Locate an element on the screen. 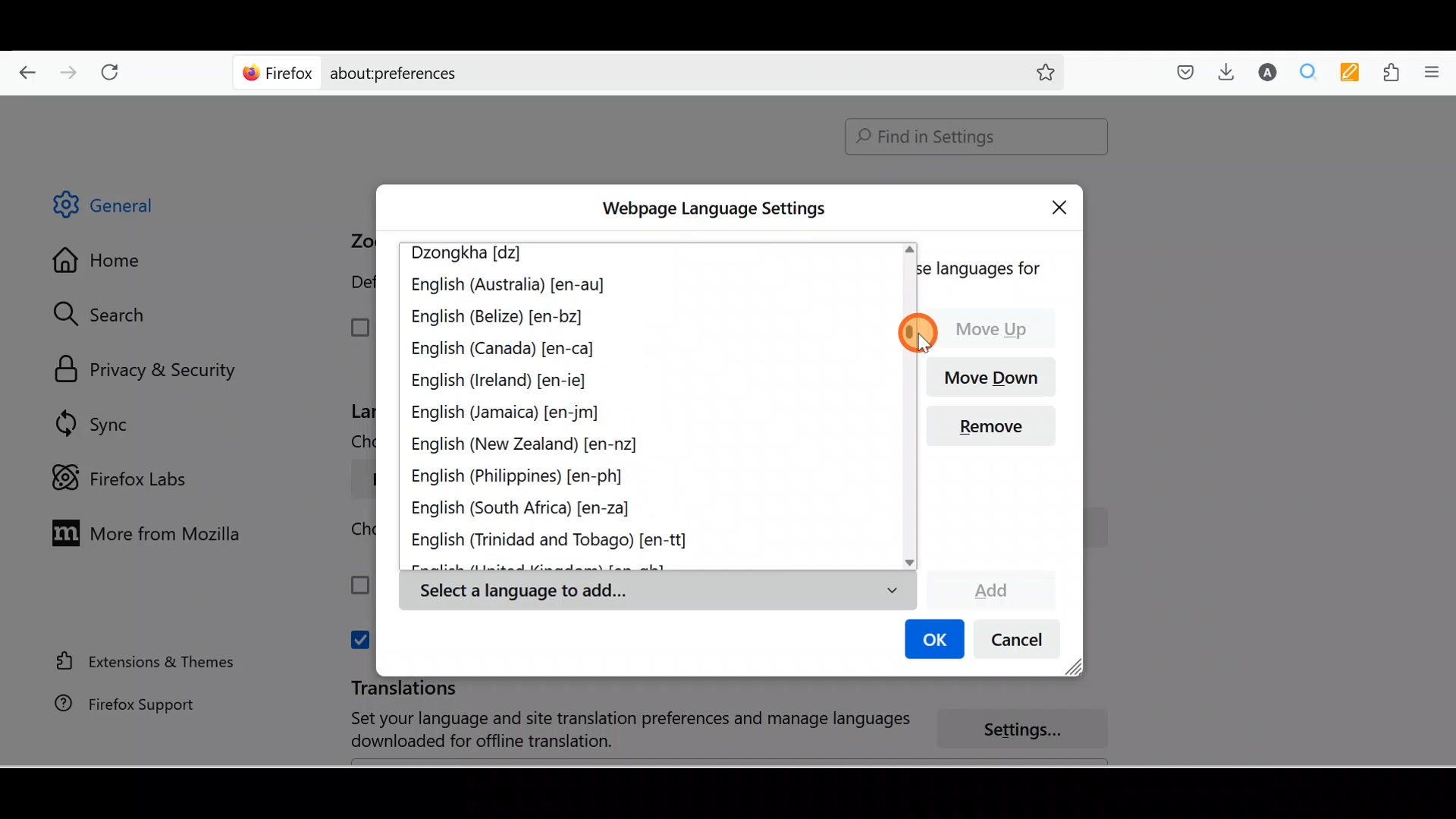  Remove is located at coordinates (997, 431).